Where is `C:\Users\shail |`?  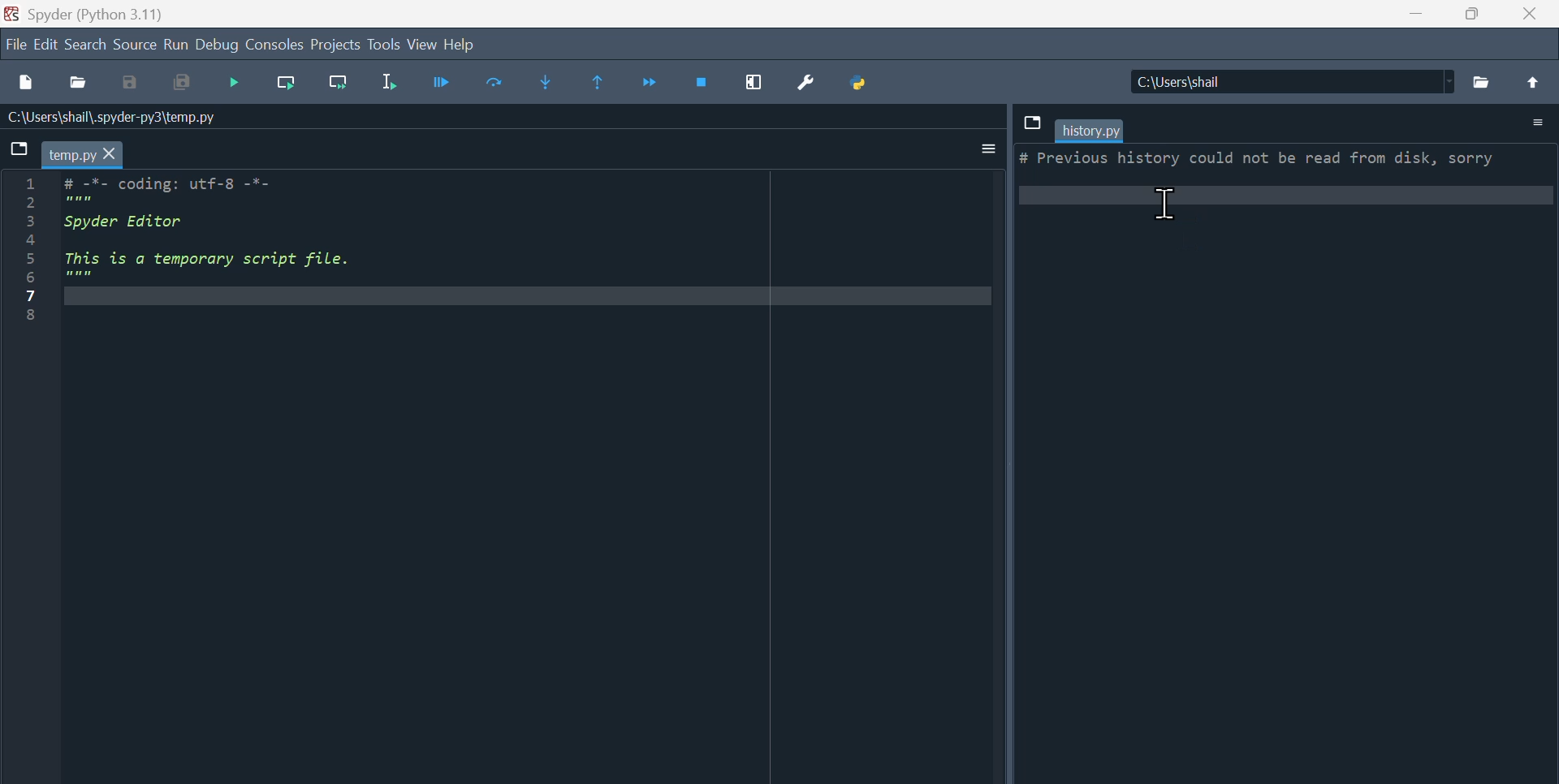 C:\Users\shail | is located at coordinates (1289, 81).